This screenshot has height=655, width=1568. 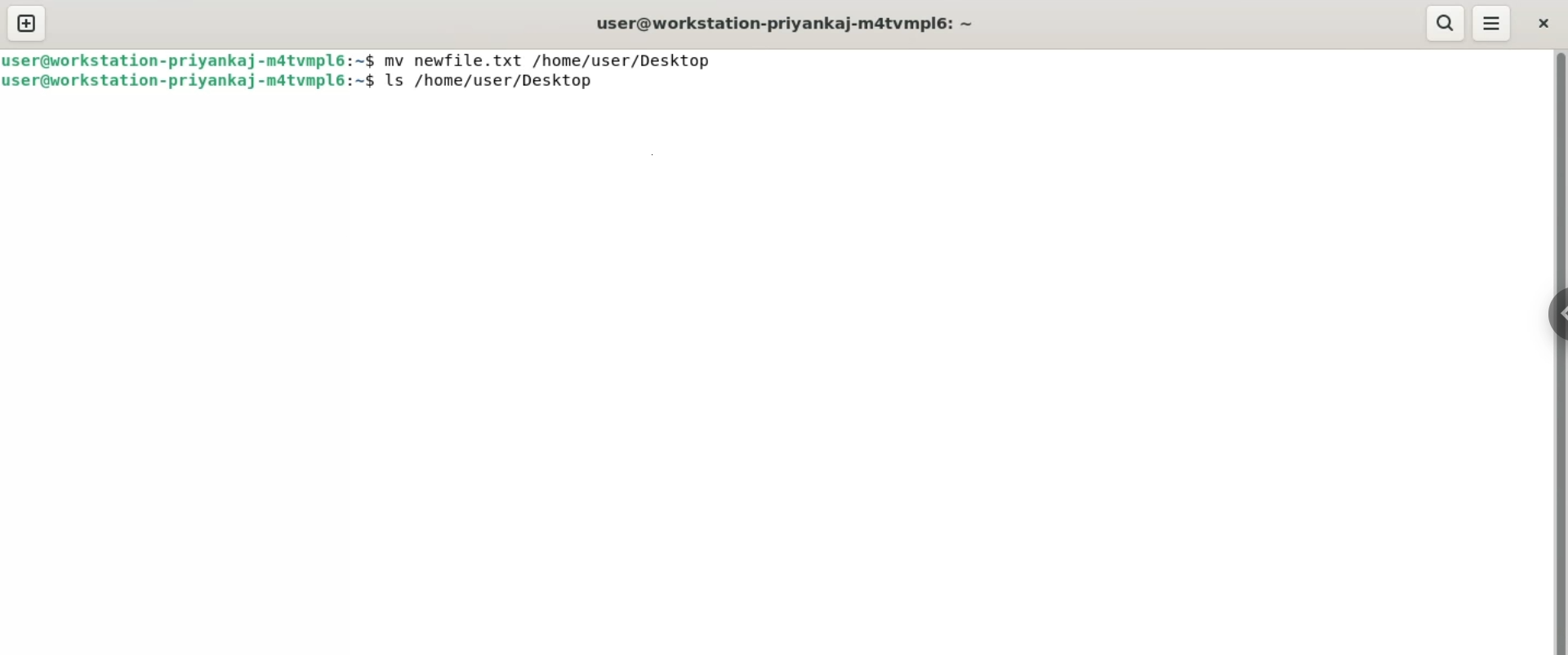 What do you see at coordinates (1558, 351) in the screenshot?
I see `vertical scroll bar` at bounding box center [1558, 351].